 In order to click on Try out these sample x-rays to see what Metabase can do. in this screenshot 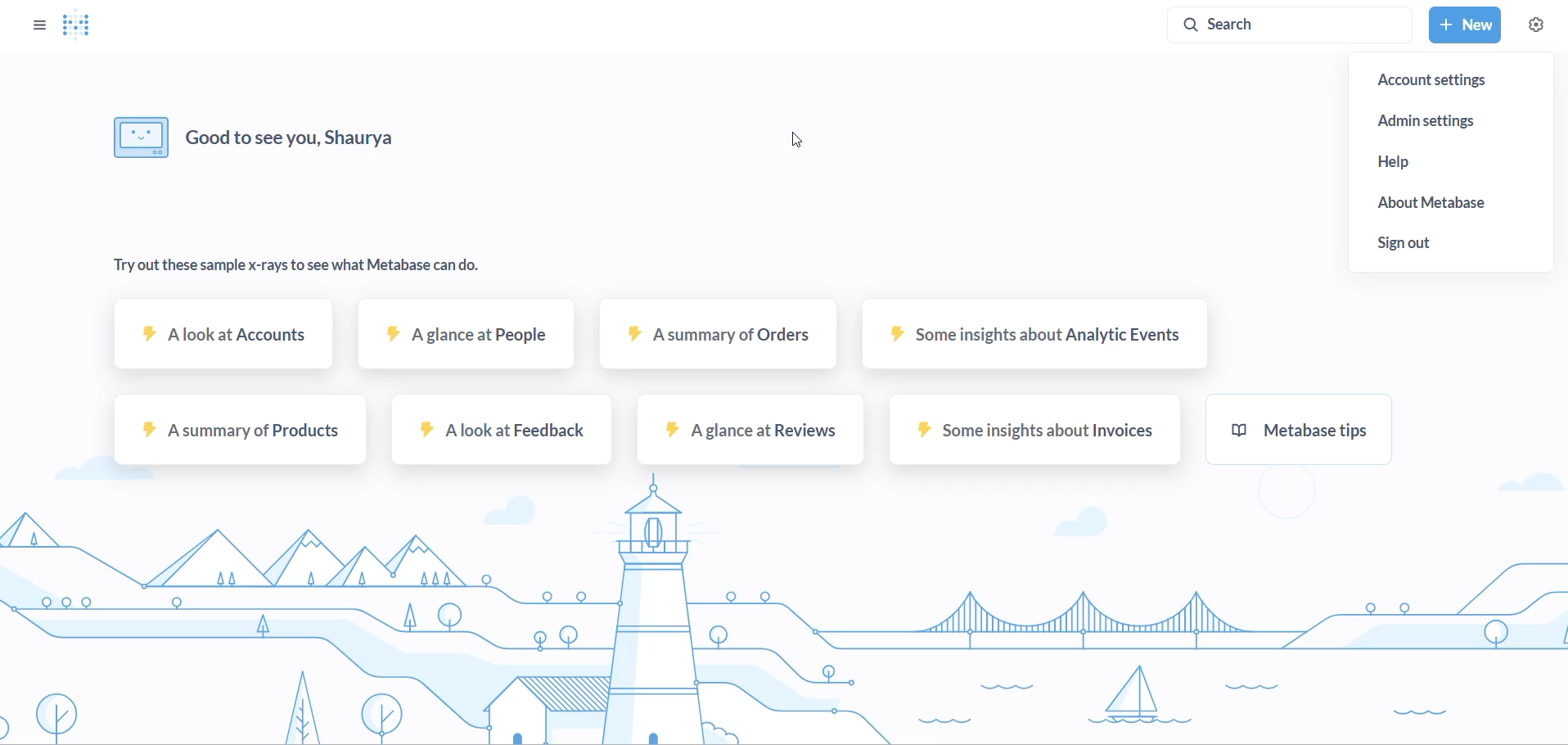, I will do `click(298, 273)`.